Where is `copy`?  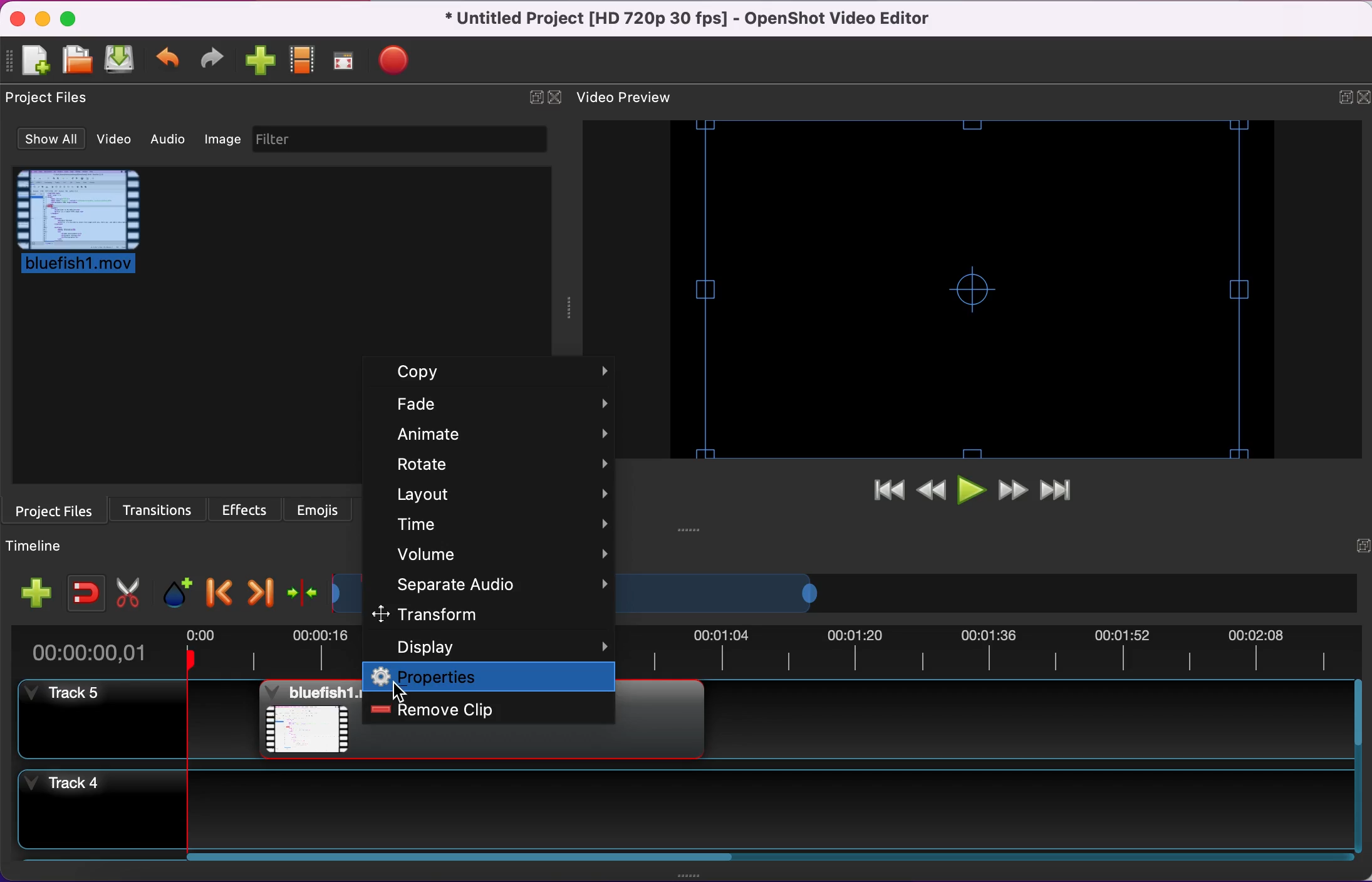 copy is located at coordinates (500, 375).